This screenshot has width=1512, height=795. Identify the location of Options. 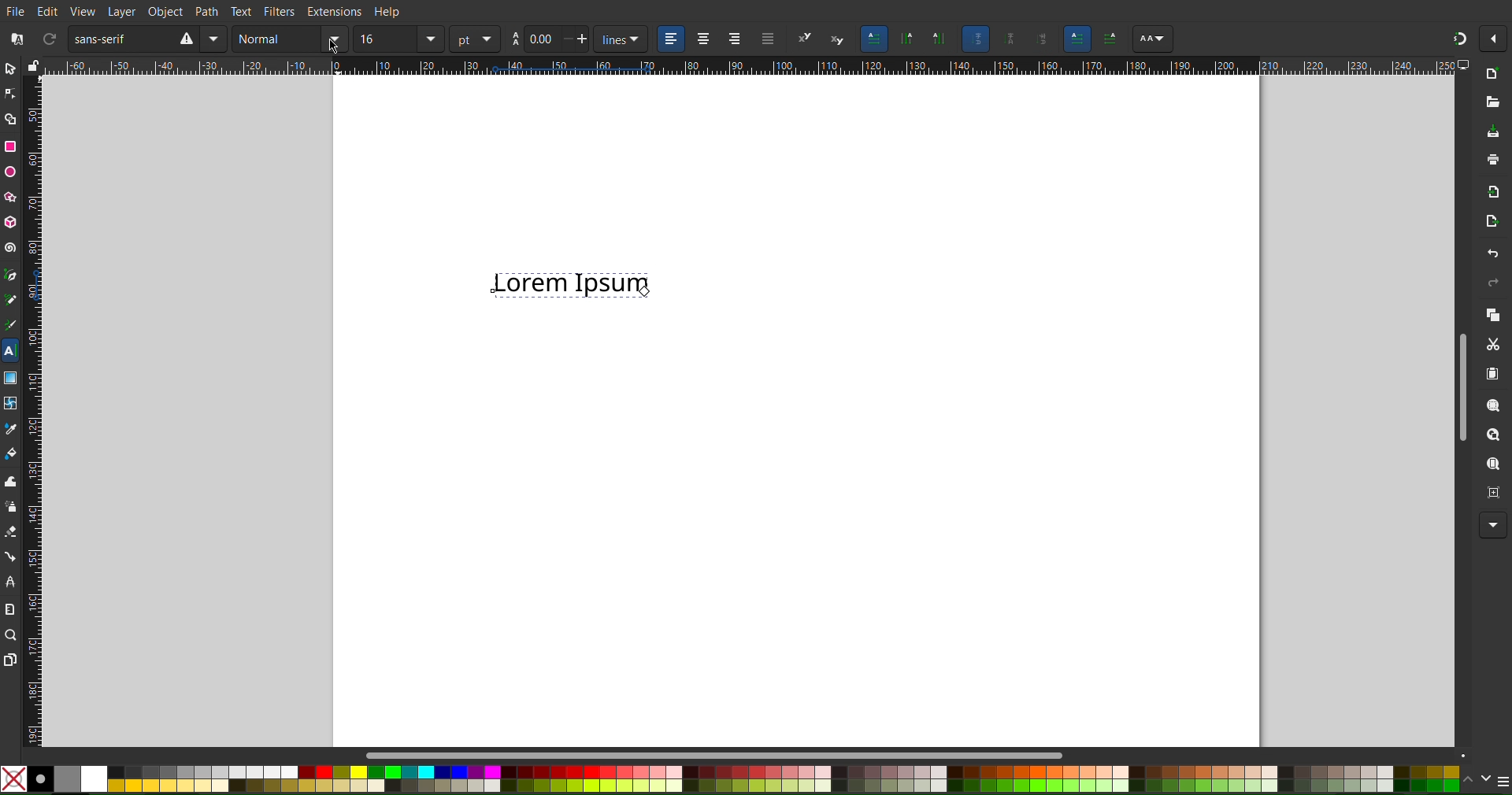
(1495, 40).